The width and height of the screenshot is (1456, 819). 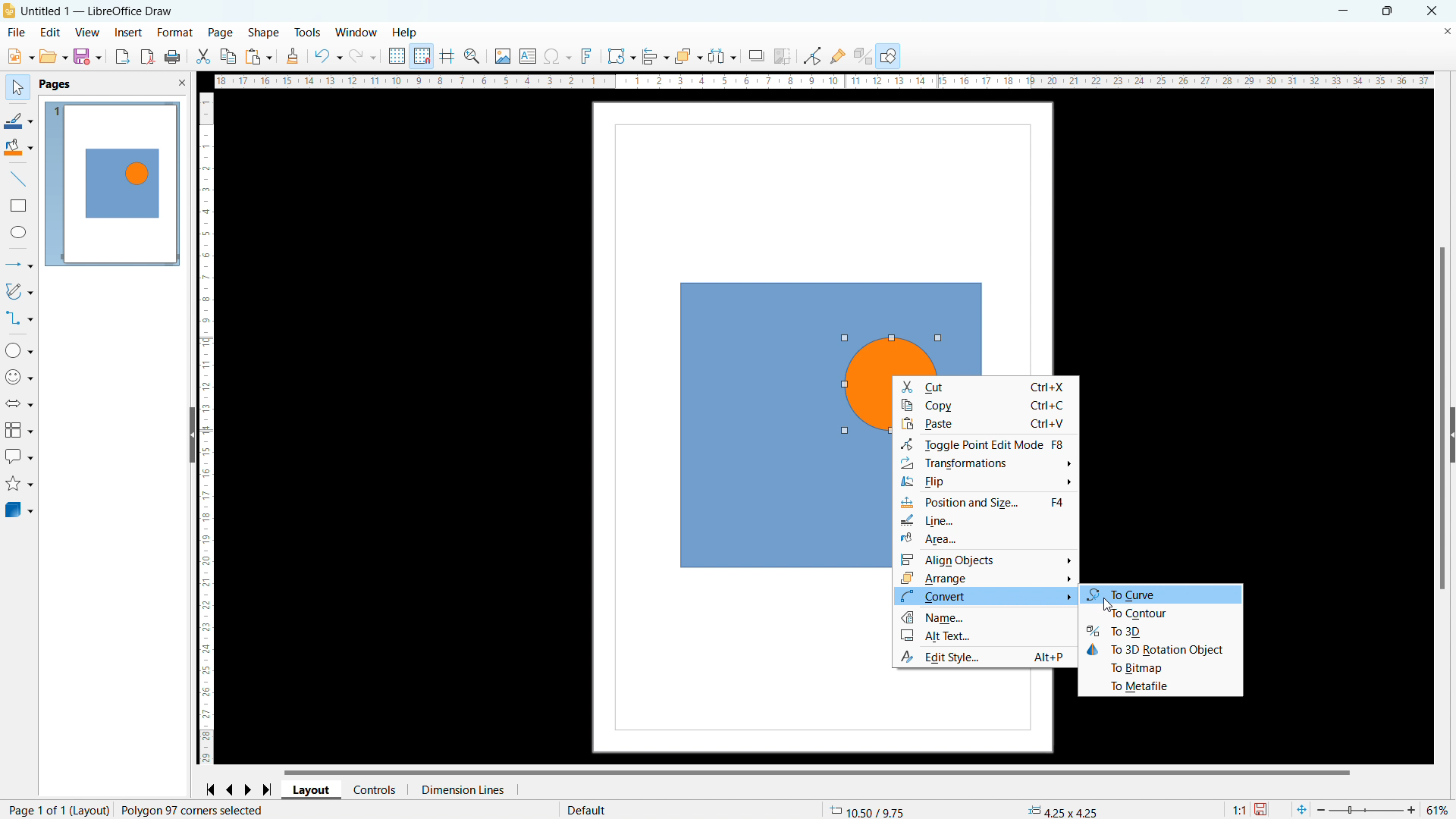 What do you see at coordinates (987, 463) in the screenshot?
I see `Transformation` at bounding box center [987, 463].